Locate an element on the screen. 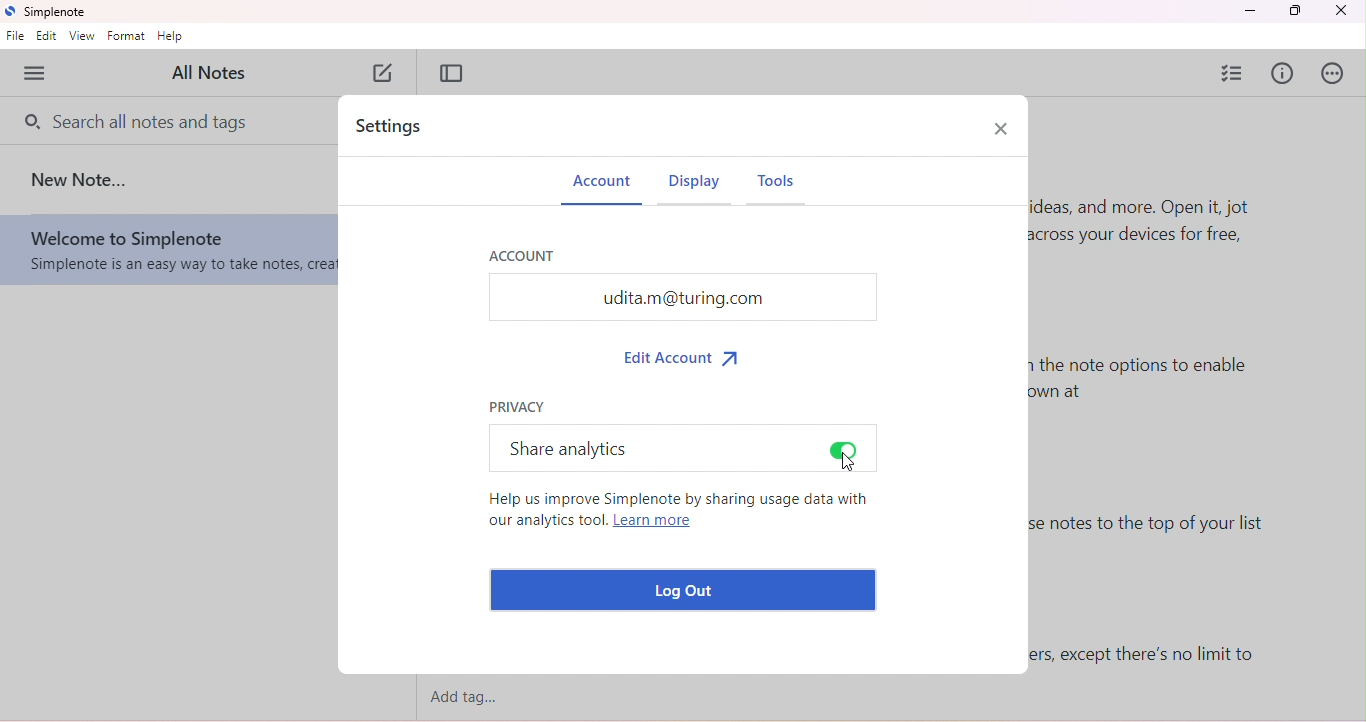  add tag is located at coordinates (474, 698).